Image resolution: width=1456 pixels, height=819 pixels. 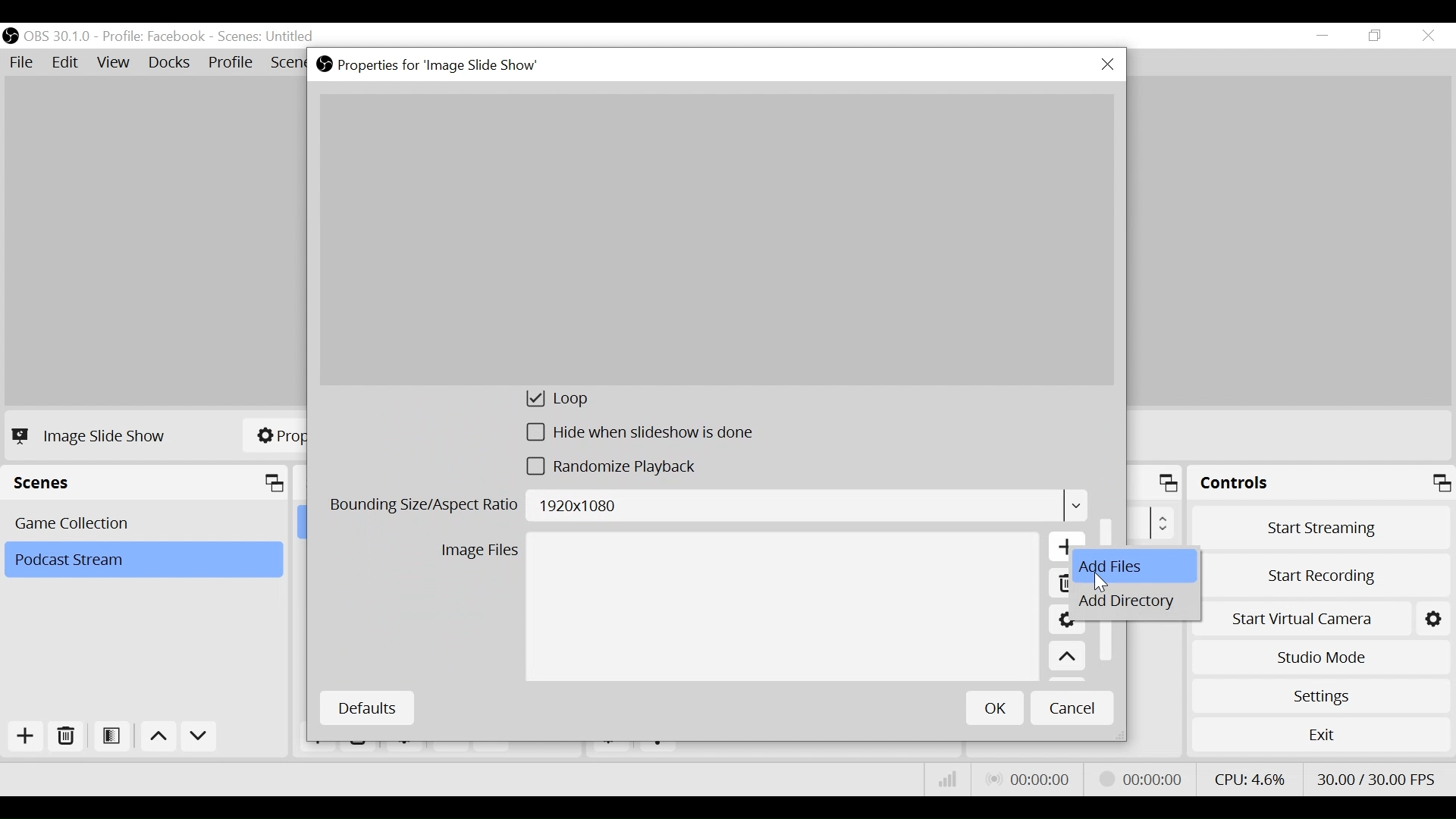 What do you see at coordinates (143, 560) in the screenshot?
I see `Scene ` at bounding box center [143, 560].